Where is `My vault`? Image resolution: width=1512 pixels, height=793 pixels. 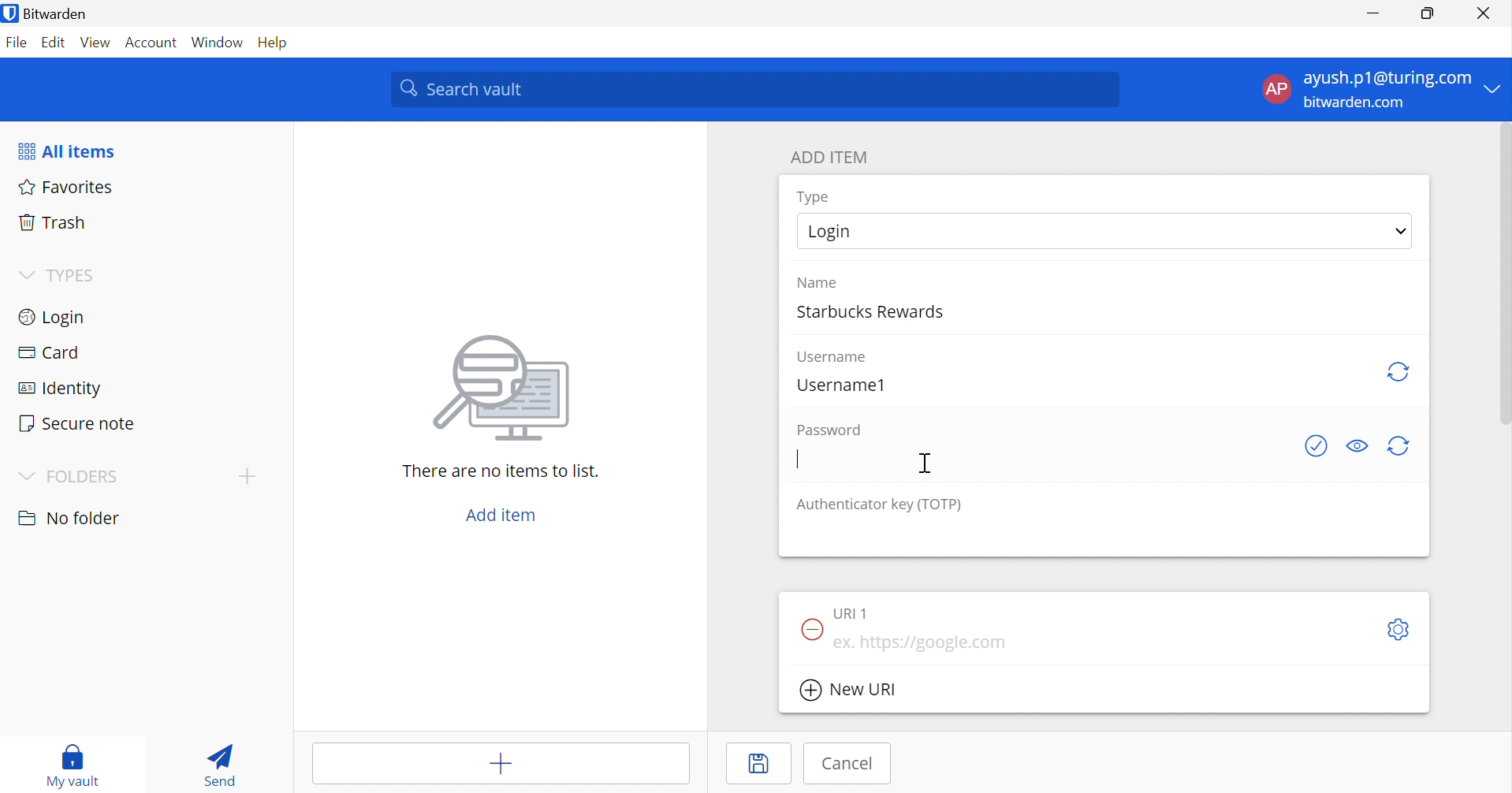 My vault is located at coordinates (77, 766).